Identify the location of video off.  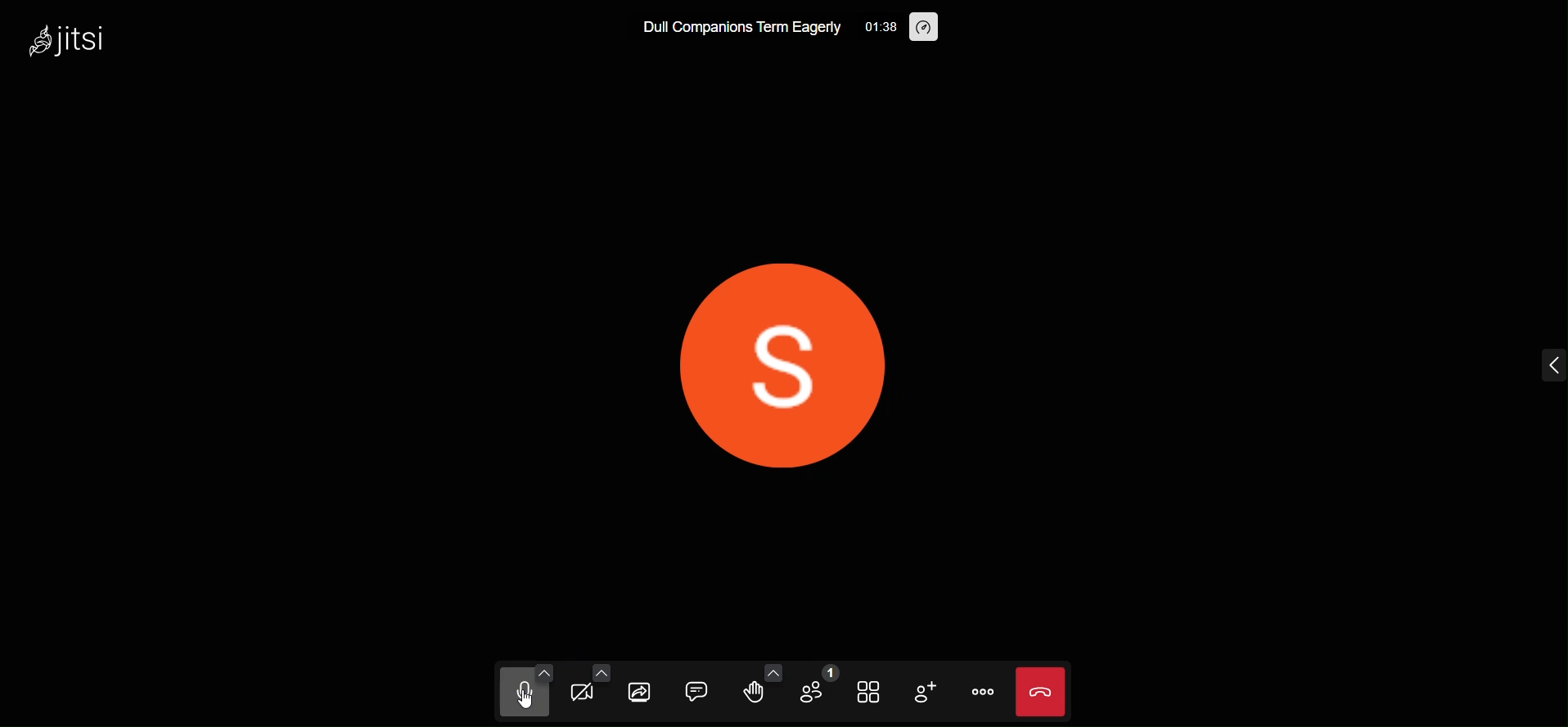
(582, 695).